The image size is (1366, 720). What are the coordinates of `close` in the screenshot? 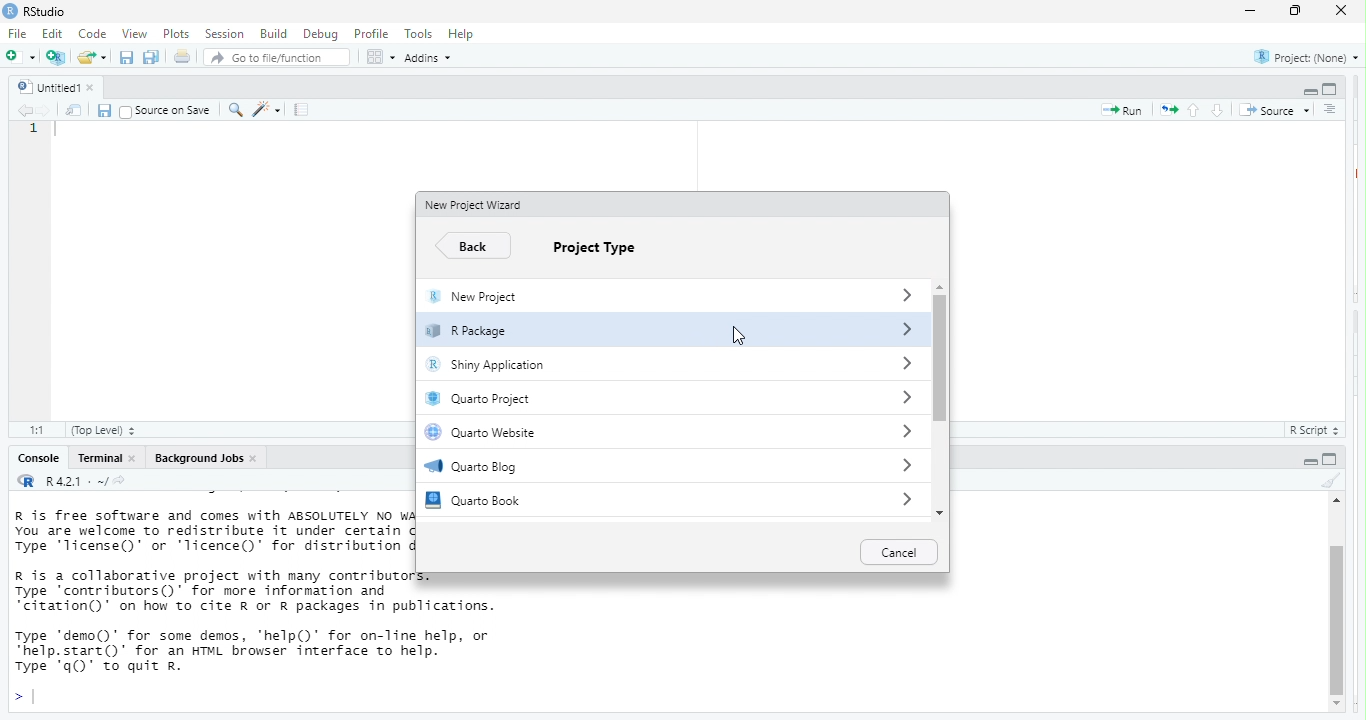 It's located at (1343, 13).